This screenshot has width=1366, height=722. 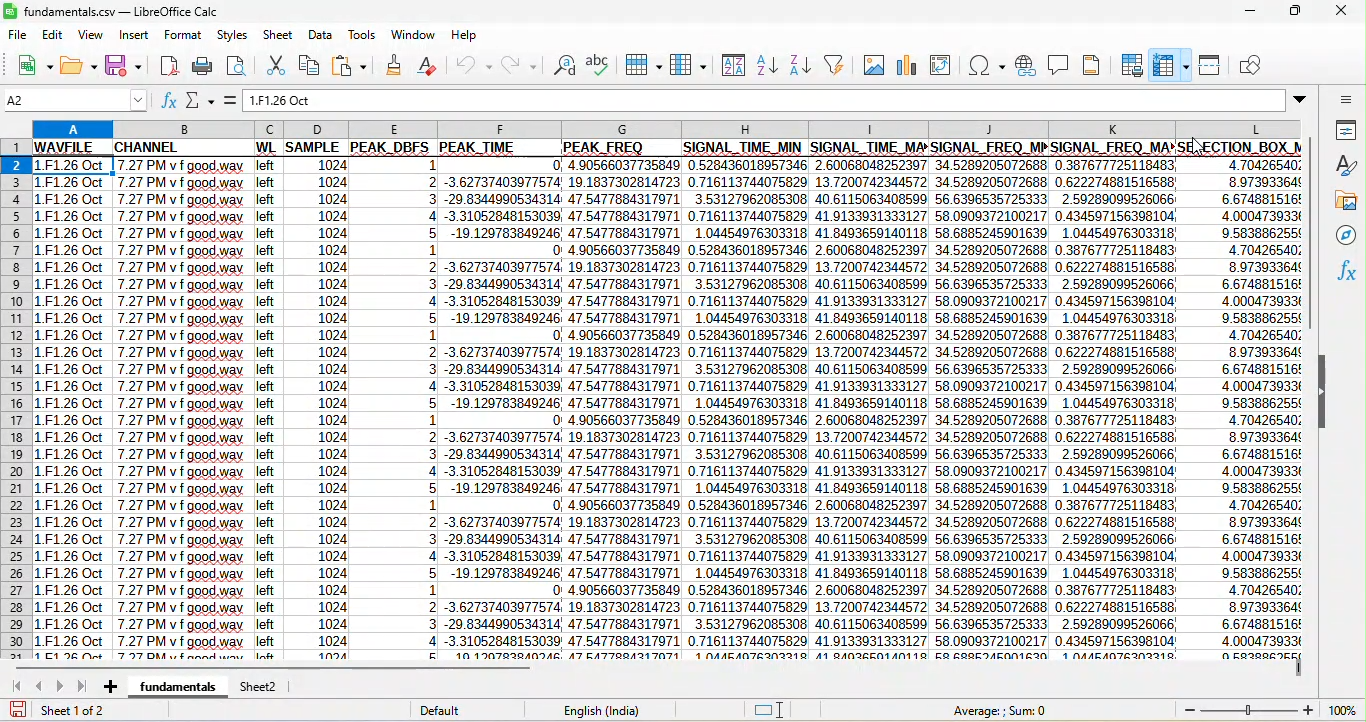 I want to click on freeze row and columns dialog box, so click(x=1225, y=116).